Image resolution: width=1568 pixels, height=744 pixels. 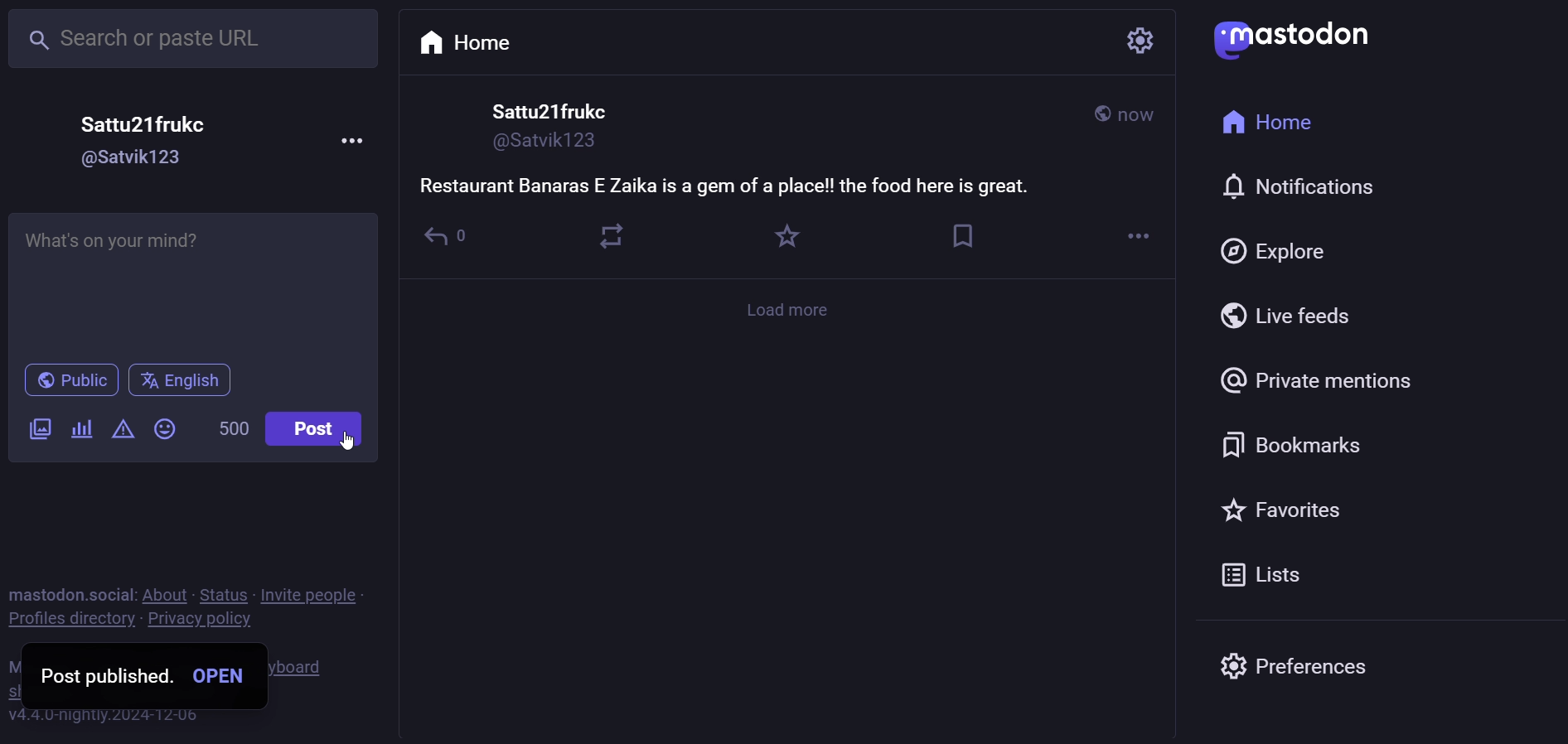 What do you see at coordinates (1286, 445) in the screenshot?
I see `bookmark` at bounding box center [1286, 445].